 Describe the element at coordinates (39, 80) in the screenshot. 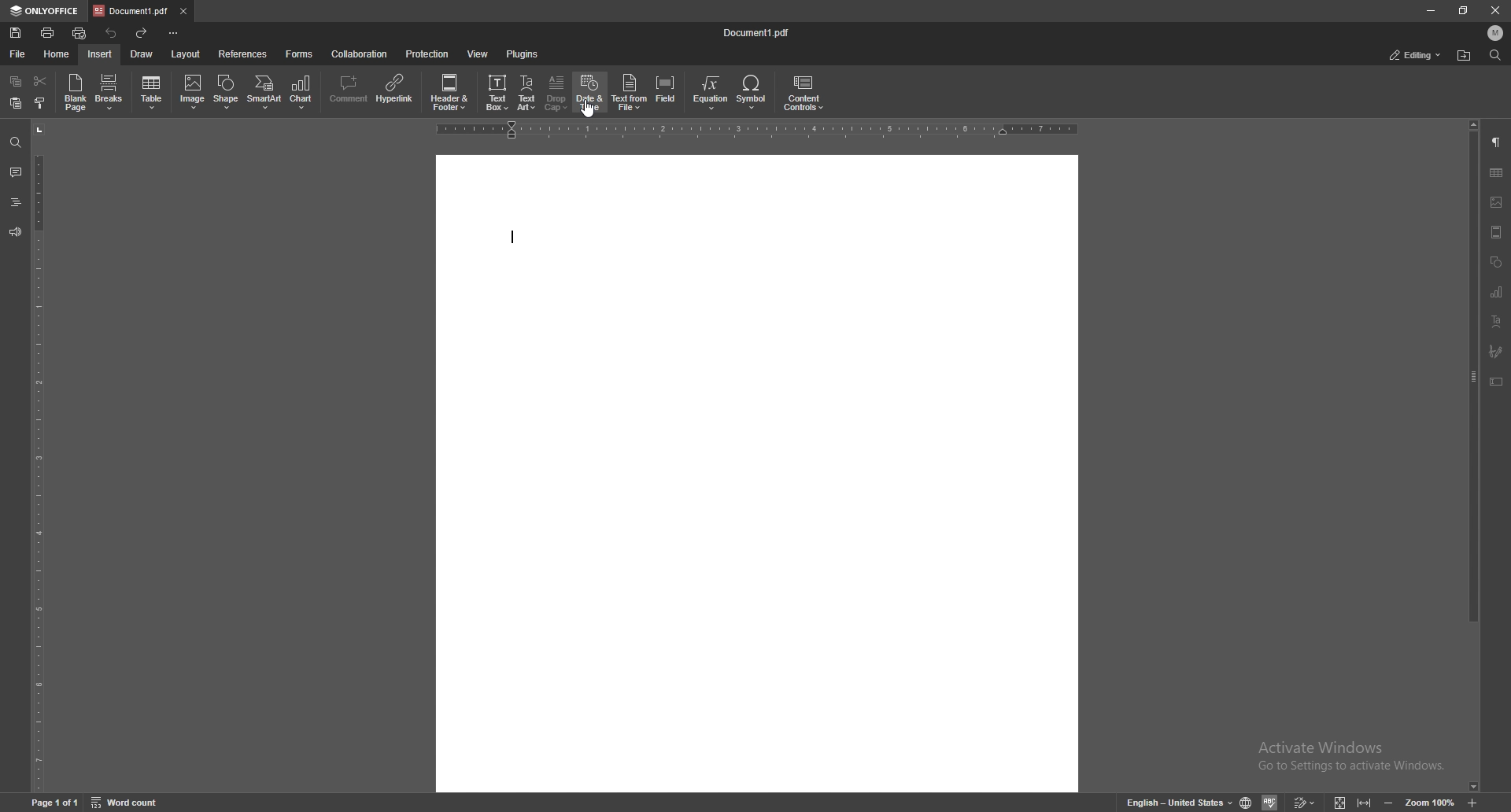

I see `cut` at that location.